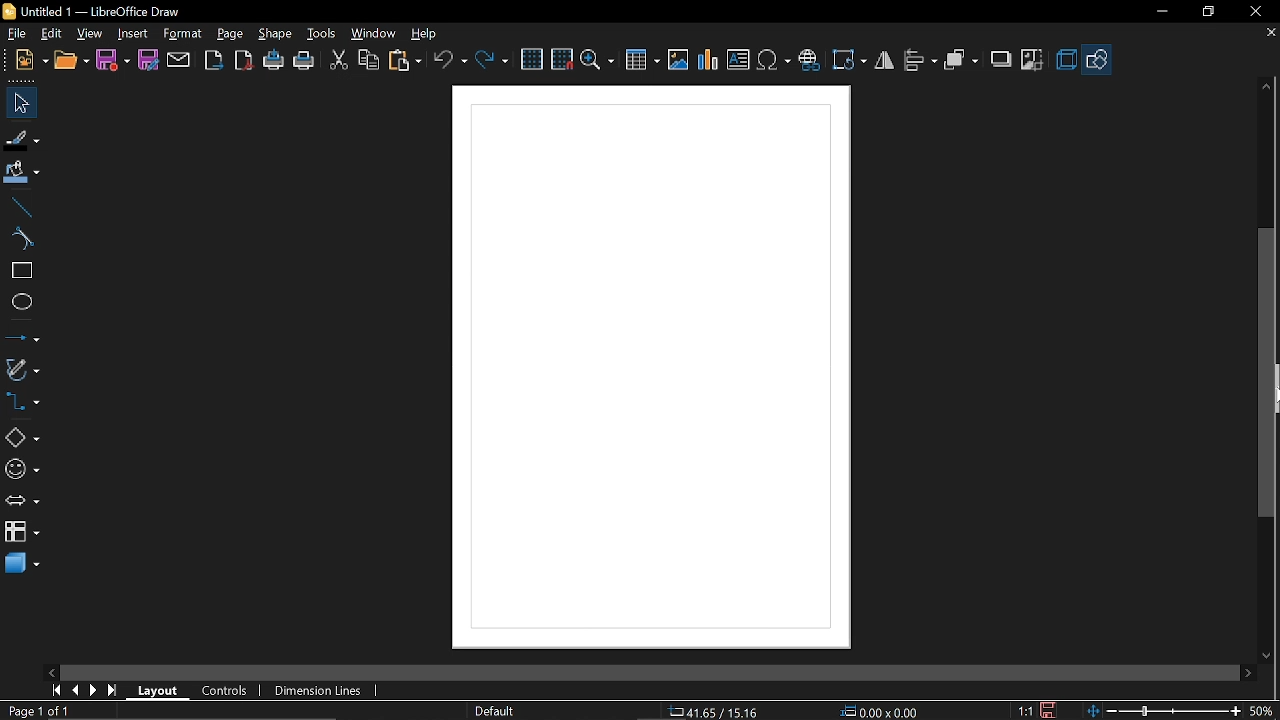 Image resolution: width=1280 pixels, height=720 pixels. Describe the element at coordinates (322, 690) in the screenshot. I see `dimension lines` at that location.